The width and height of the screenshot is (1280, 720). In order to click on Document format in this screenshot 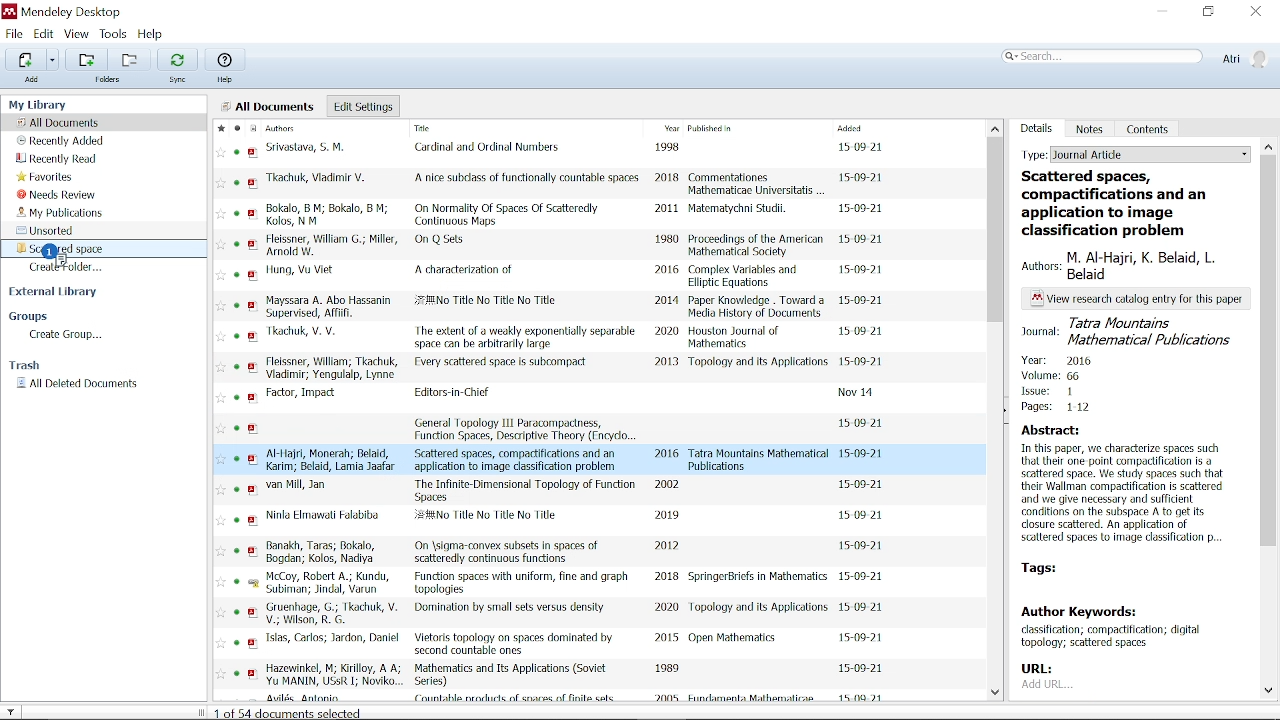, I will do `click(252, 128)`.